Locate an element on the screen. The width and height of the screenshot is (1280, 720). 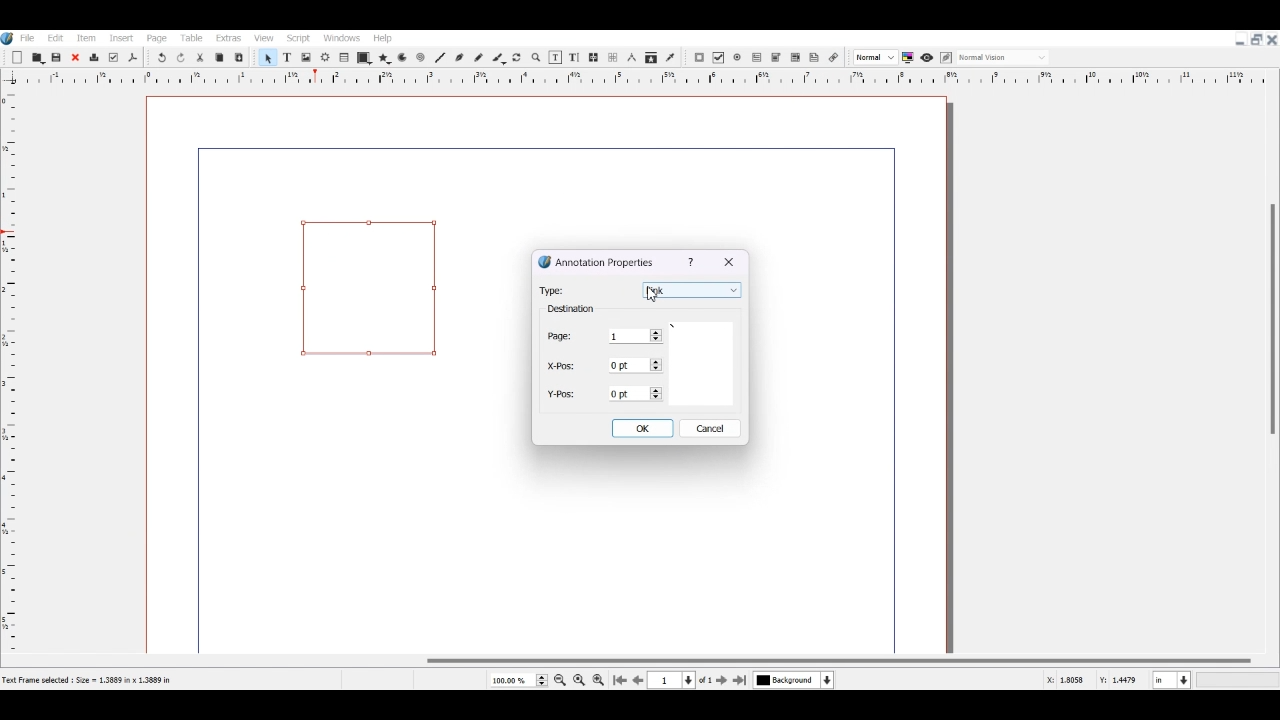
PDF Check Box is located at coordinates (719, 58).